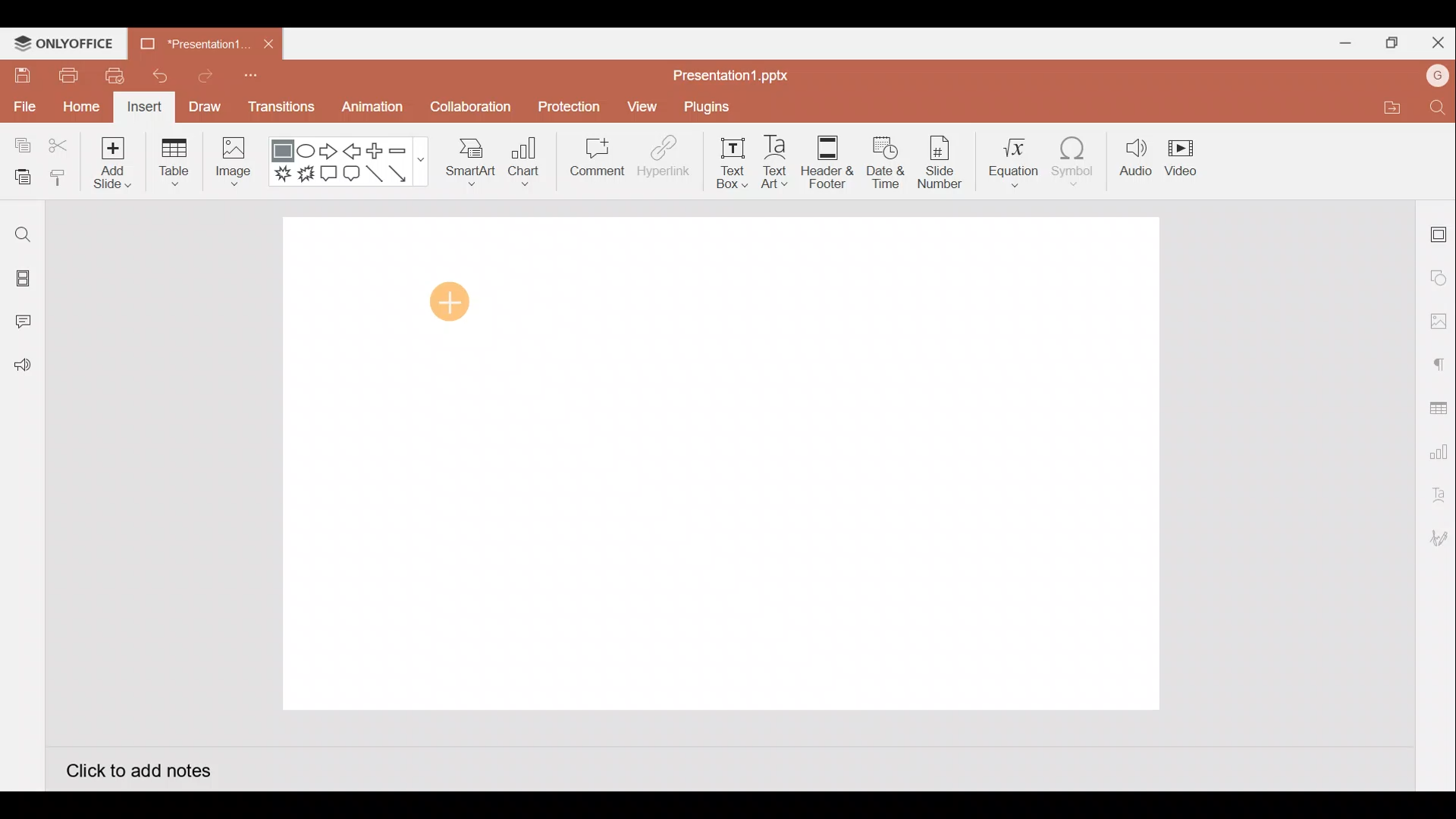  I want to click on Text Art, so click(781, 158).